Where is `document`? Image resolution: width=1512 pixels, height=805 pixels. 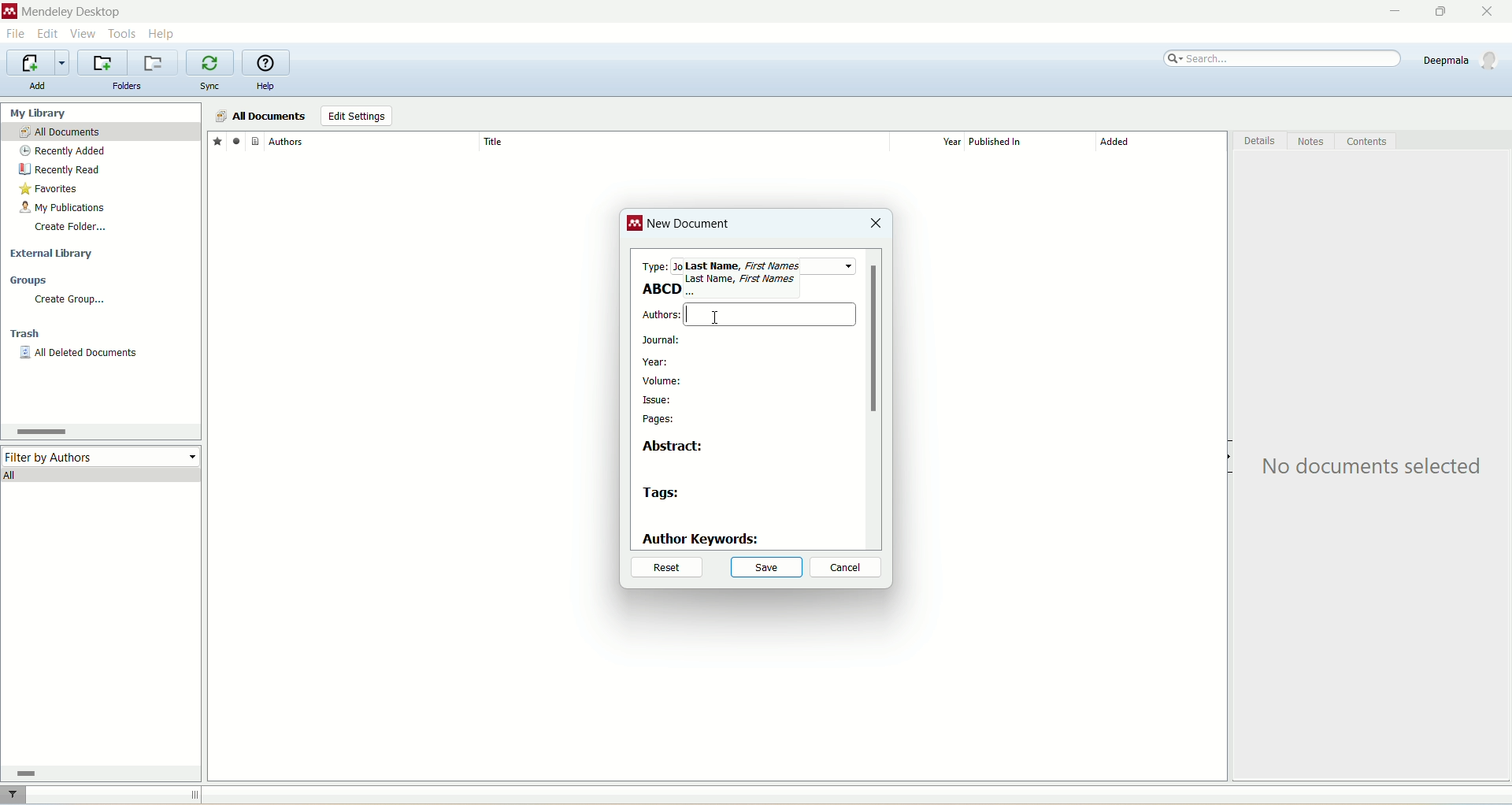 document is located at coordinates (255, 140).